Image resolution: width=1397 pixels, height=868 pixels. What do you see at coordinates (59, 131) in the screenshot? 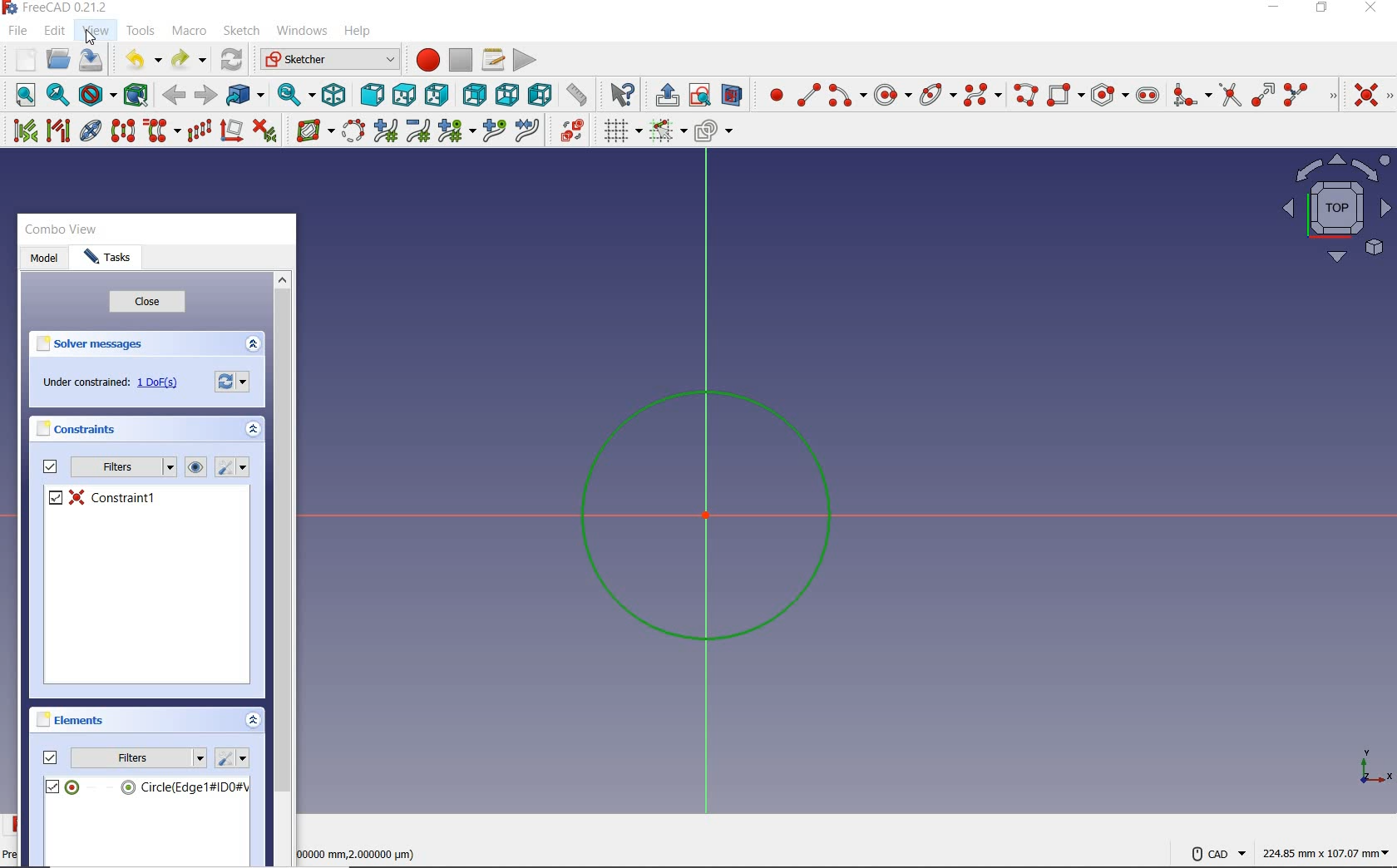
I see `select associated geometry` at bounding box center [59, 131].